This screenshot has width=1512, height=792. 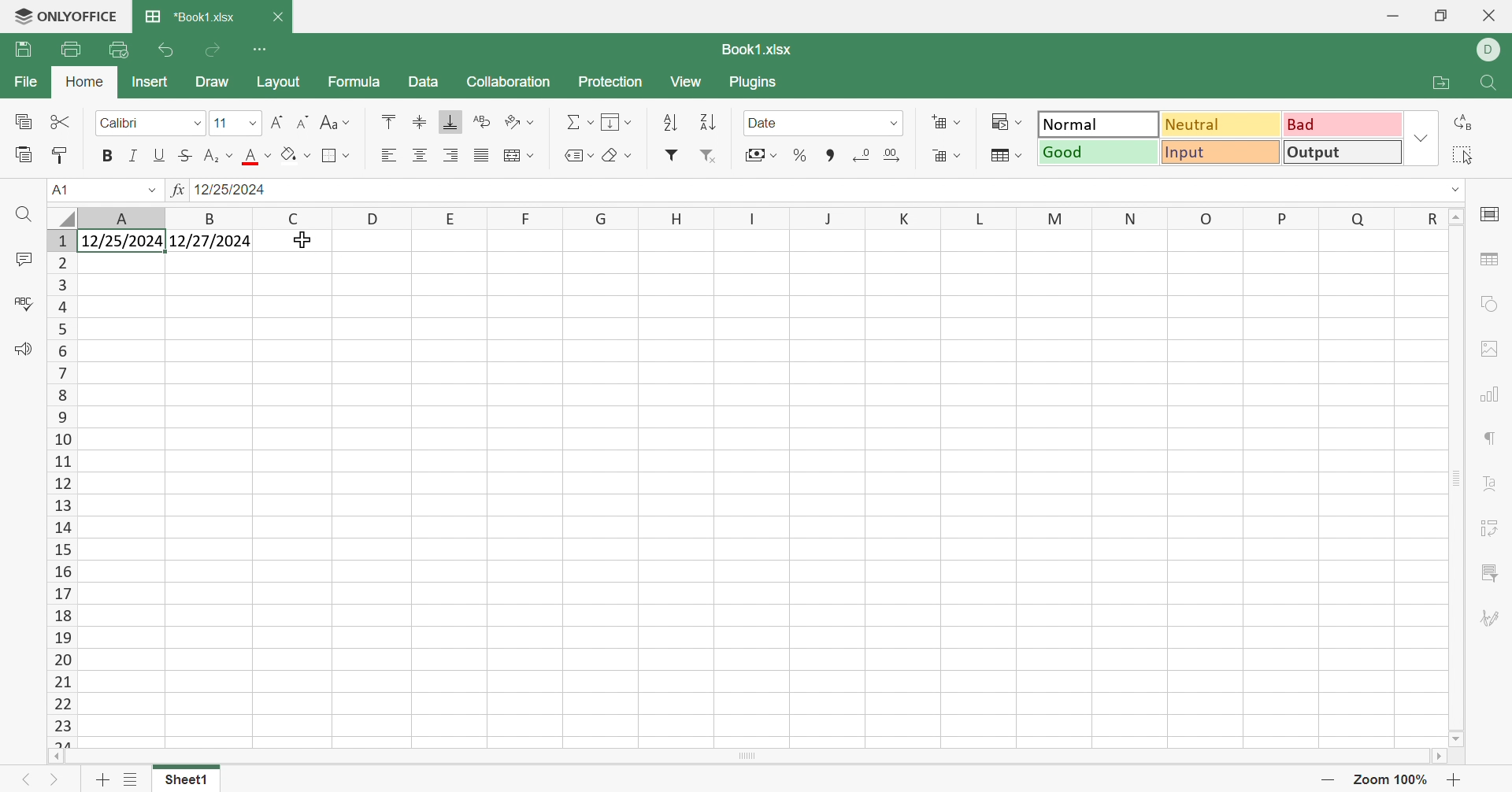 What do you see at coordinates (1007, 121) in the screenshot?
I see `Conditional formatting` at bounding box center [1007, 121].